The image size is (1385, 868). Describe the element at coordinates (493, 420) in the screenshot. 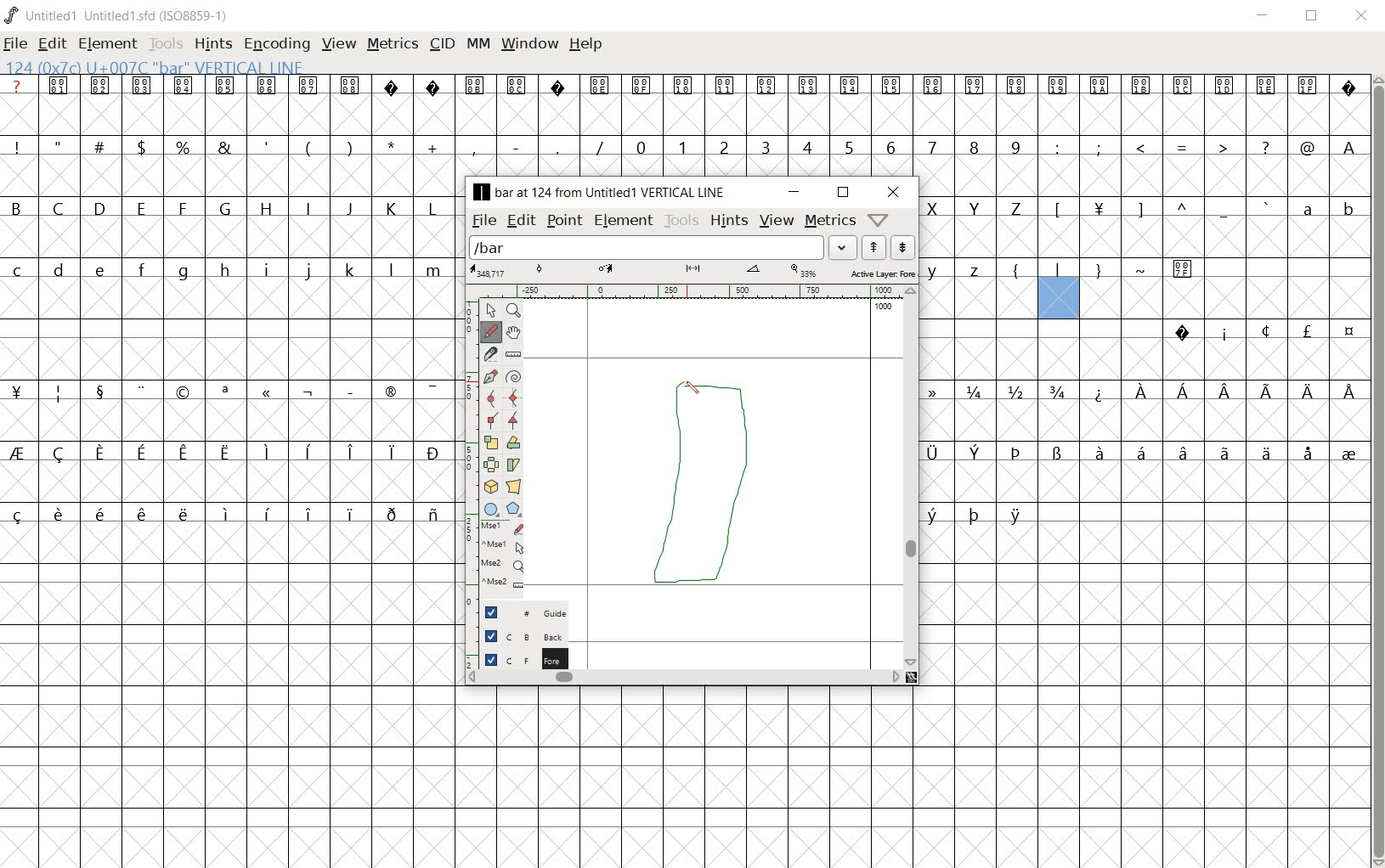

I see `Add a corner point` at that location.